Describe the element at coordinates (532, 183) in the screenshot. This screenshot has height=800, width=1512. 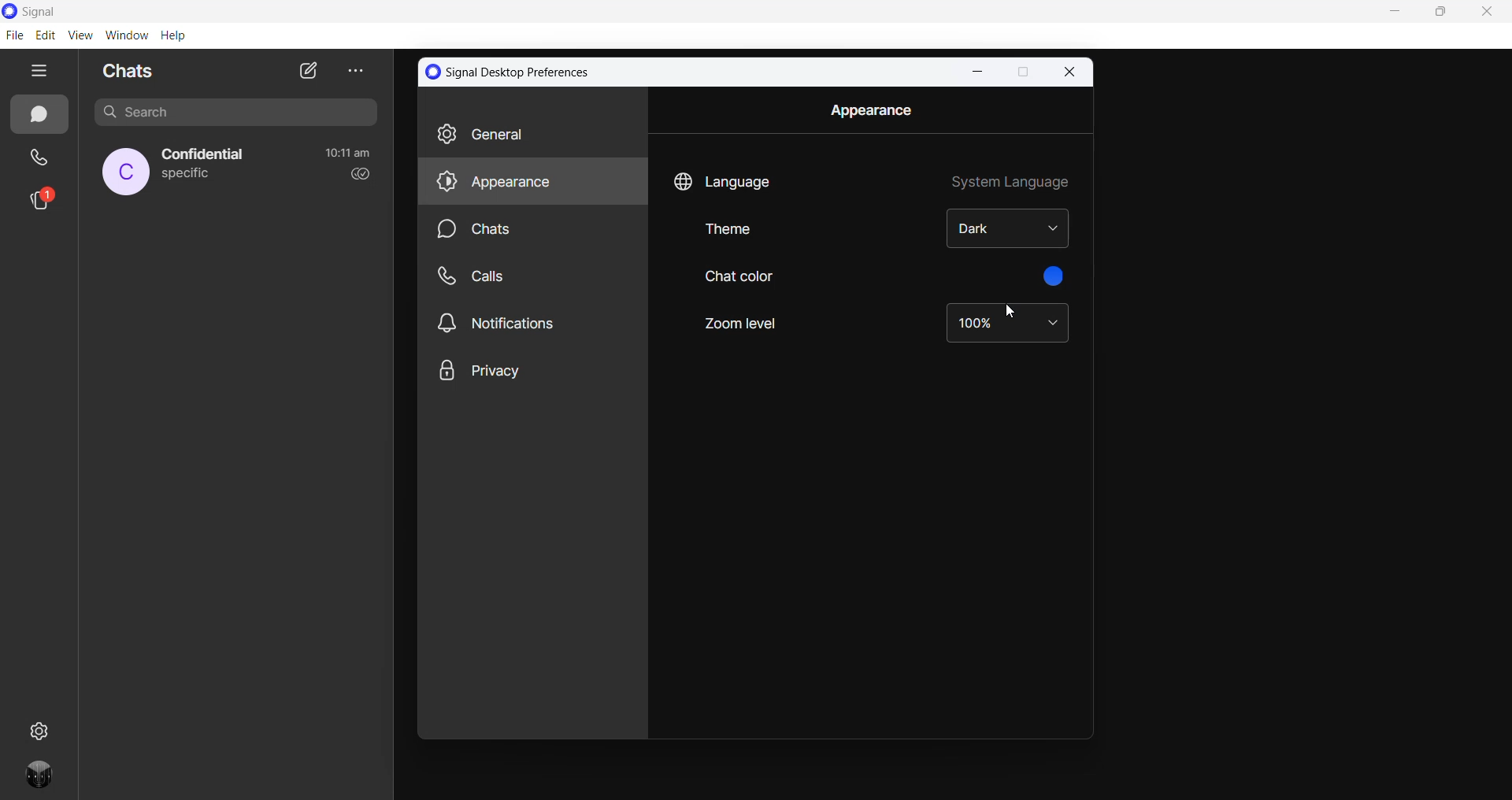
I see `appearance` at that location.